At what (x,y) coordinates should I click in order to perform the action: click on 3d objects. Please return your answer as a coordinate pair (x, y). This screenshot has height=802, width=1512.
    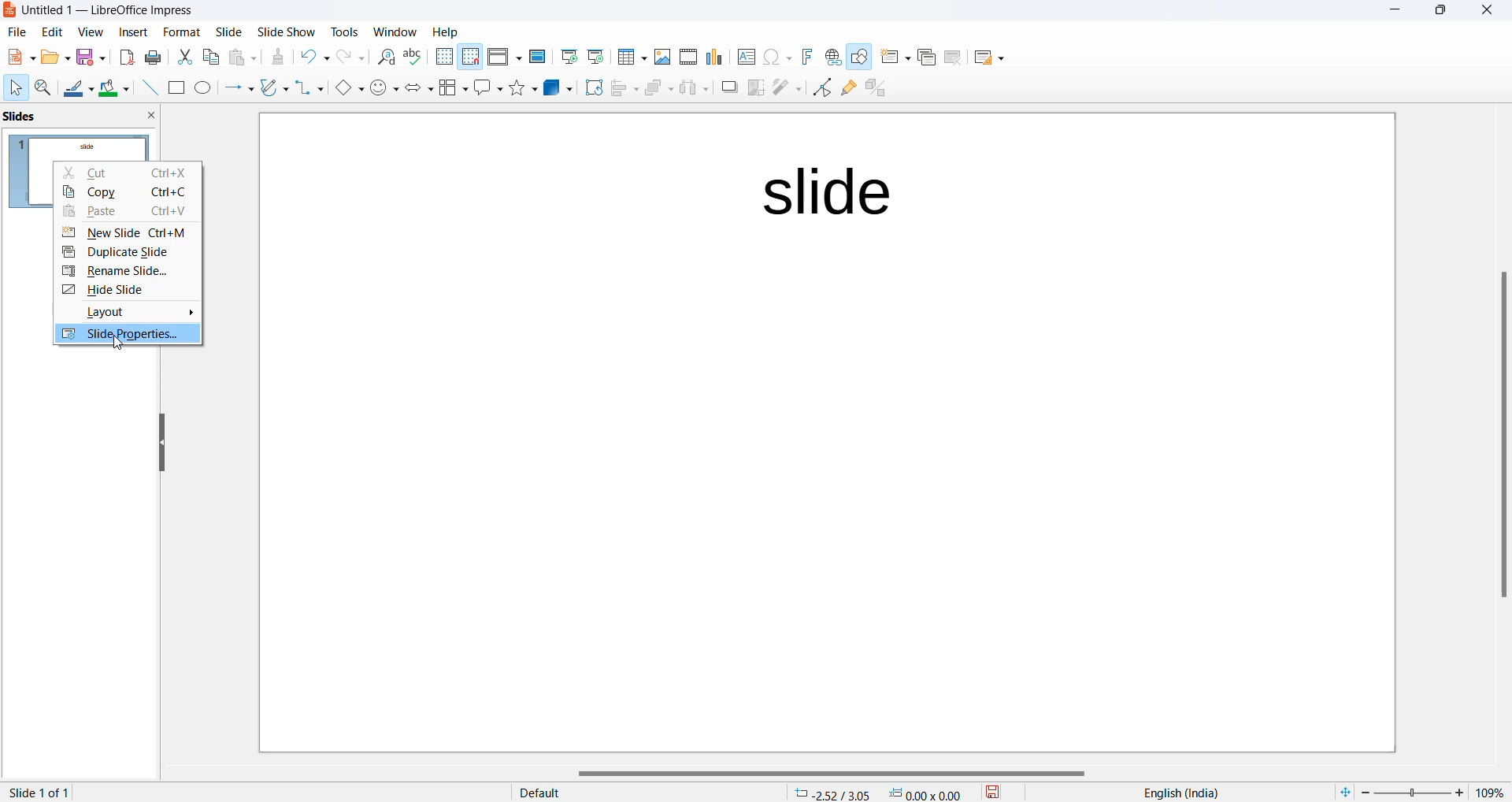
    Looking at the image, I should click on (558, 87).